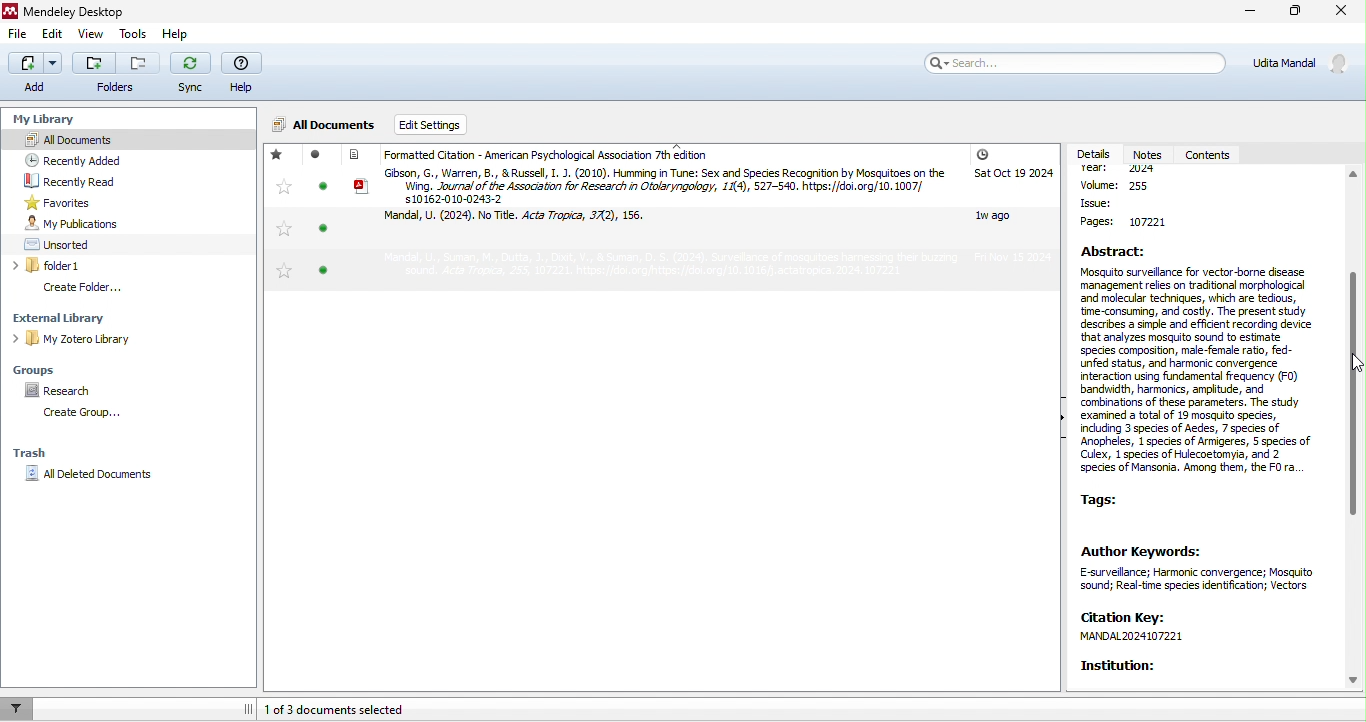  I want to click on 1 of 3 documents selected, so click(360, 708).